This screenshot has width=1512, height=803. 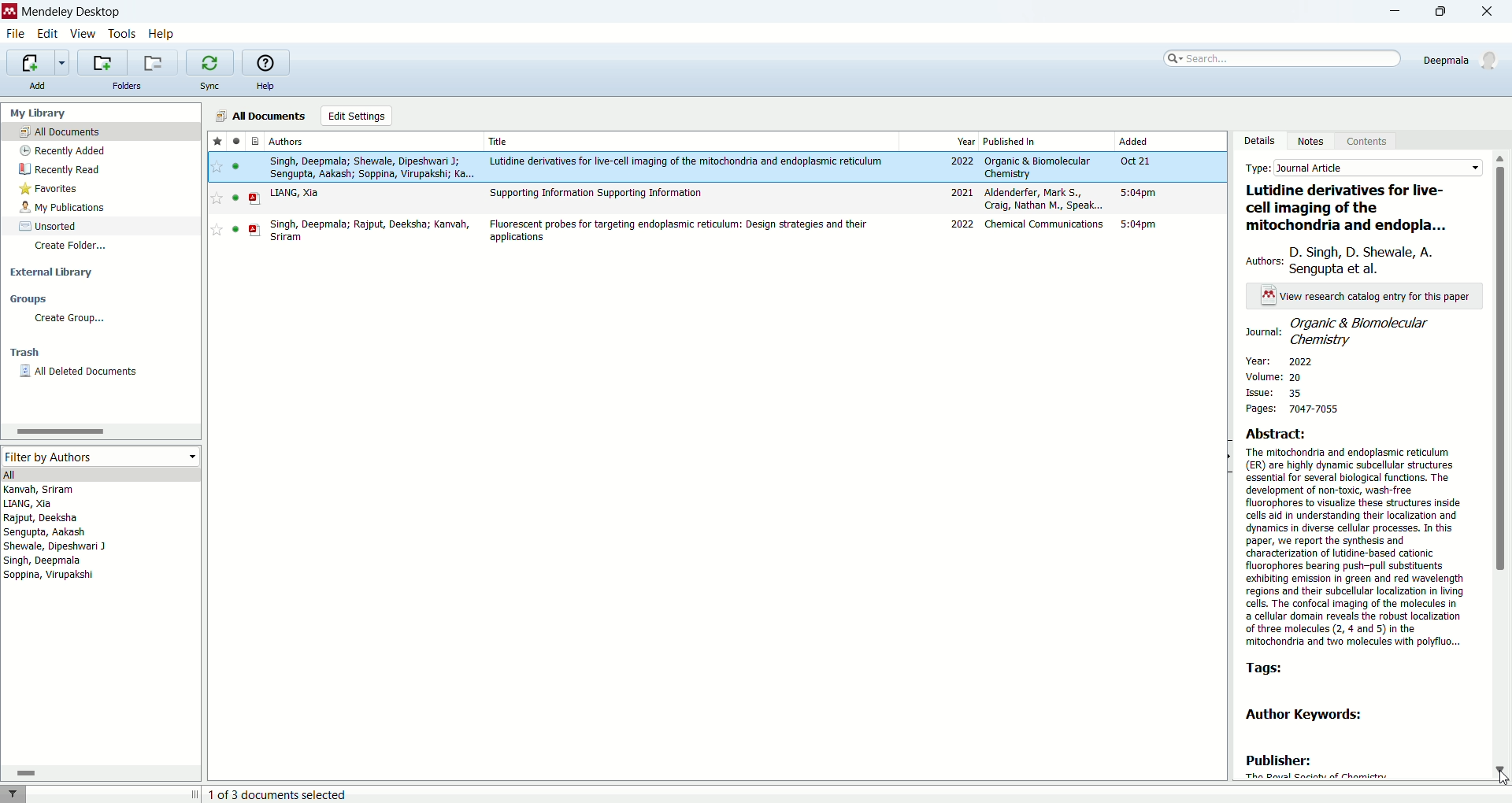 I want to click on PDF, so click(x=255, y=199).